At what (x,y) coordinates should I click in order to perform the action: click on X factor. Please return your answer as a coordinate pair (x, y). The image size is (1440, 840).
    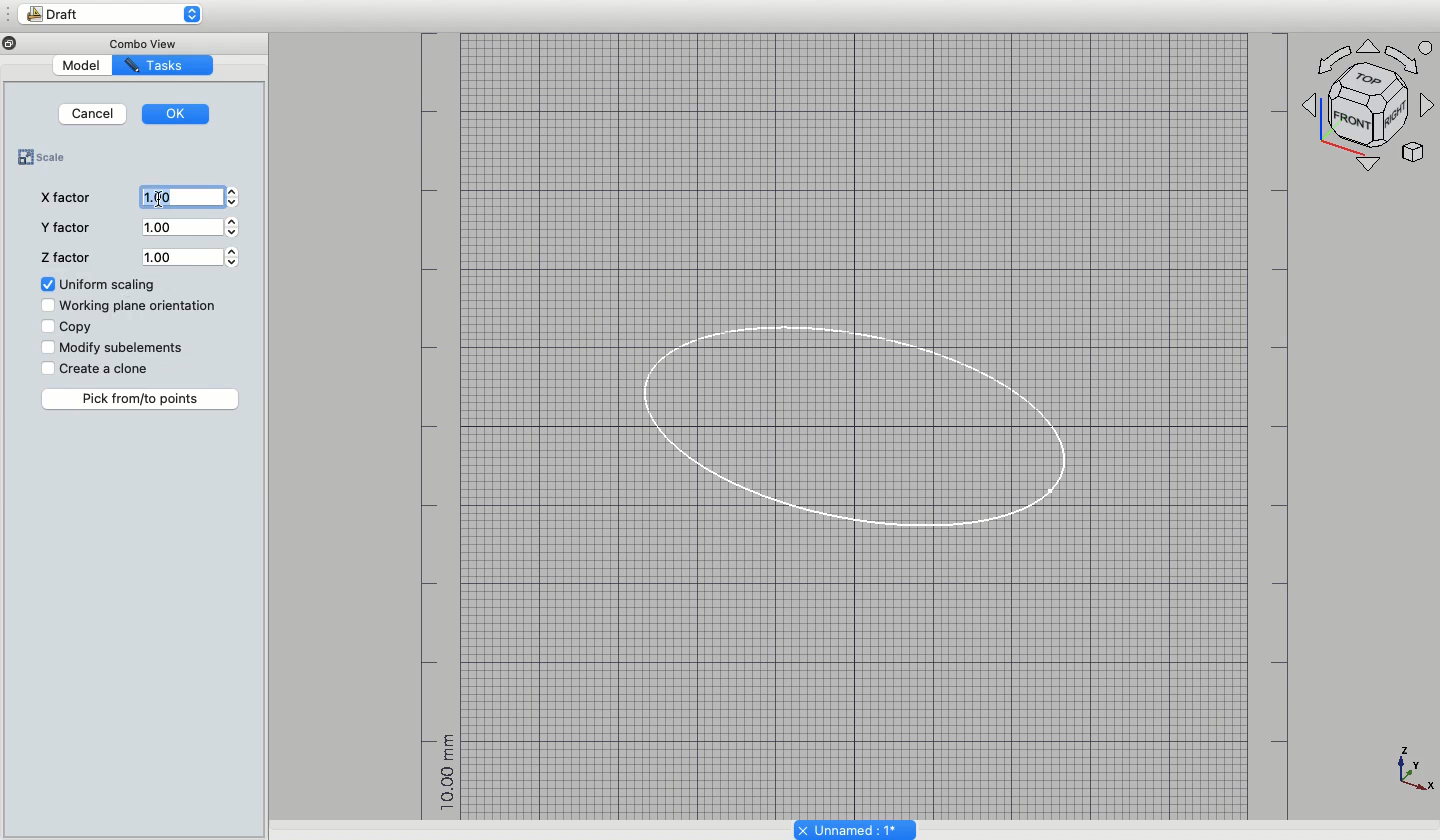
    Looking at the image, I should click on (67, 196).